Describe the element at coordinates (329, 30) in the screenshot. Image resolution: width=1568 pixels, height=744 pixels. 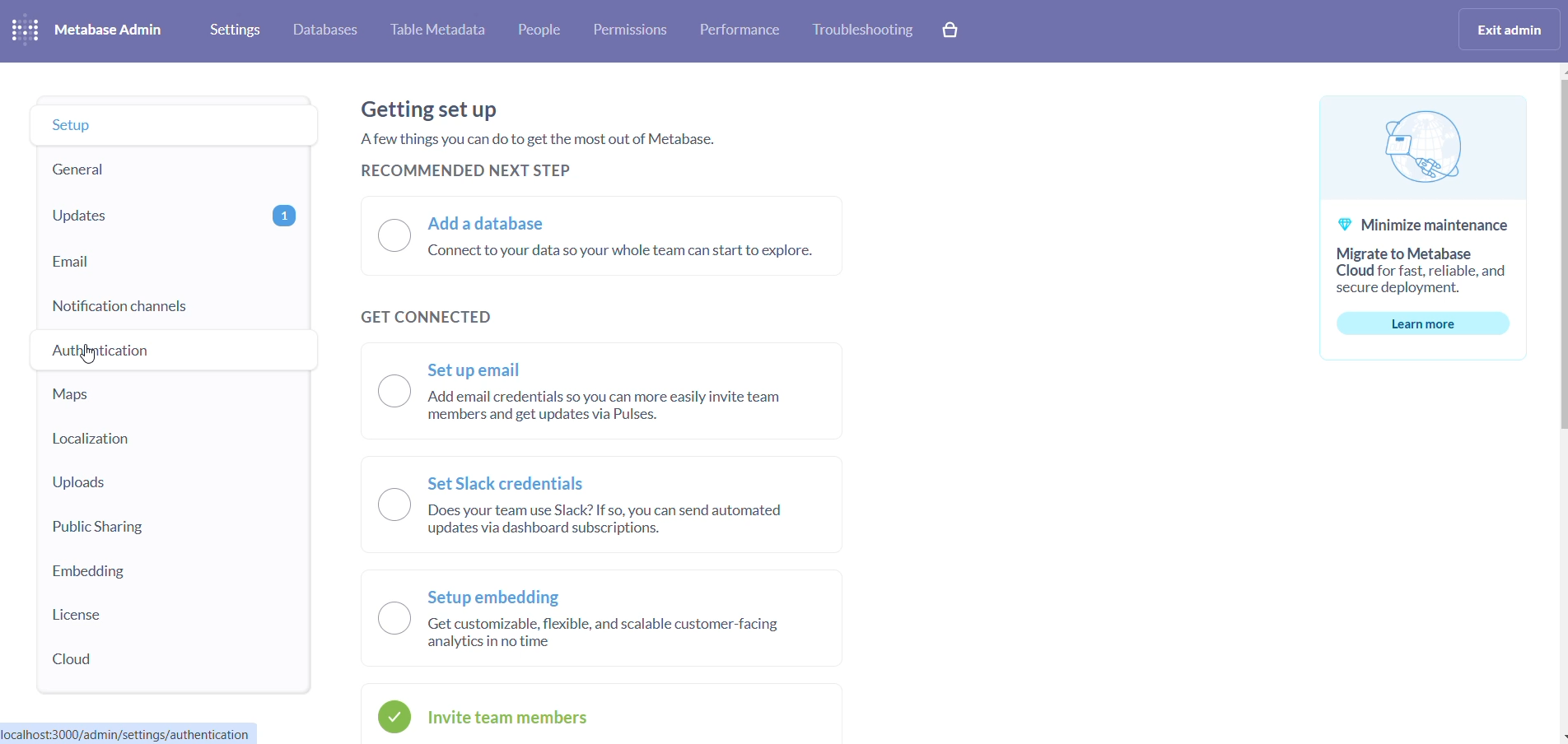
I see `databases` at that location.